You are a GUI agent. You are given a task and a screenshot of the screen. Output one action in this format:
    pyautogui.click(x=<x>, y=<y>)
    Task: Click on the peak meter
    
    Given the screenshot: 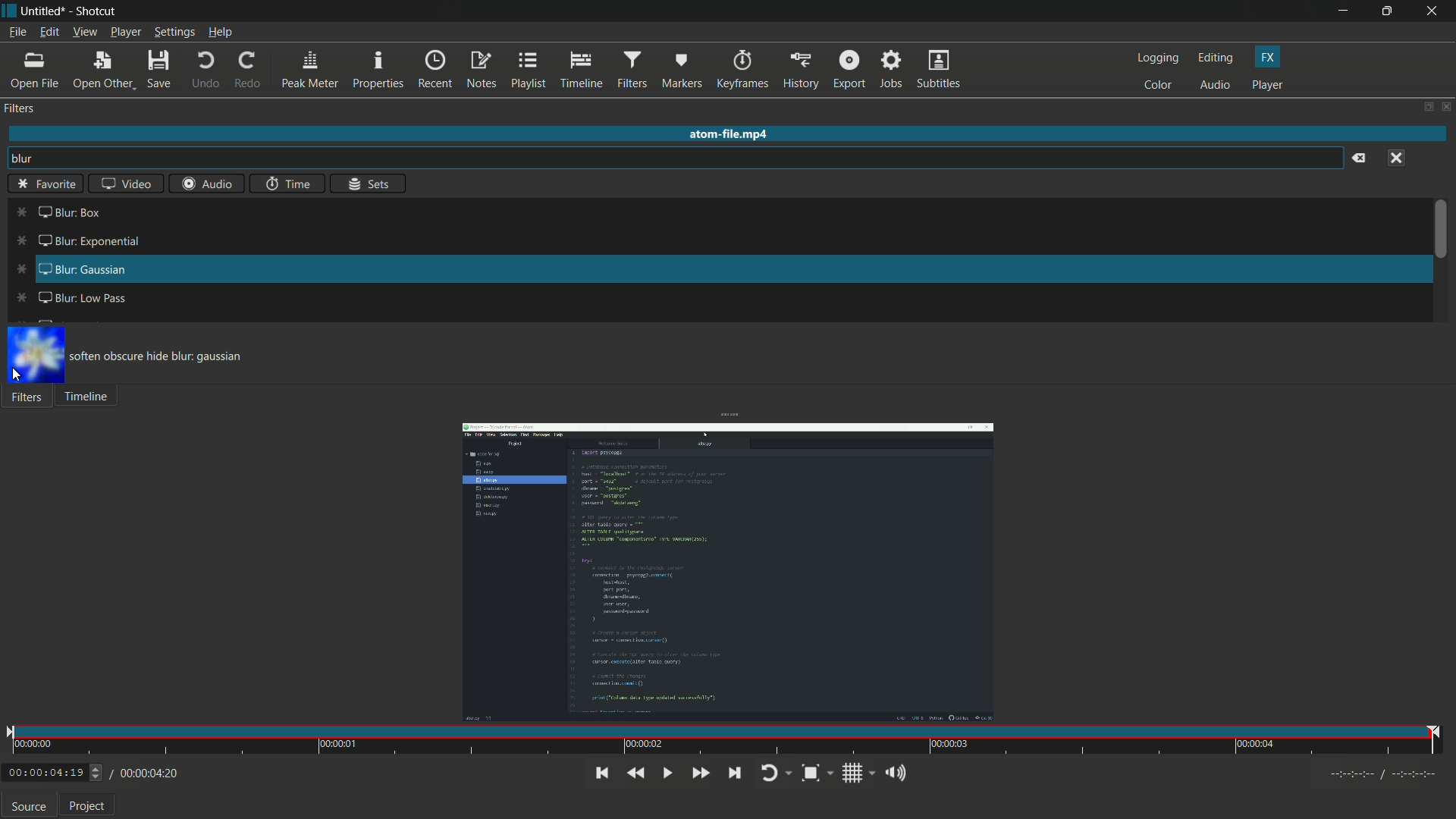 What is the action you would take?
    pyautogui.click(x=308, y=71)
    